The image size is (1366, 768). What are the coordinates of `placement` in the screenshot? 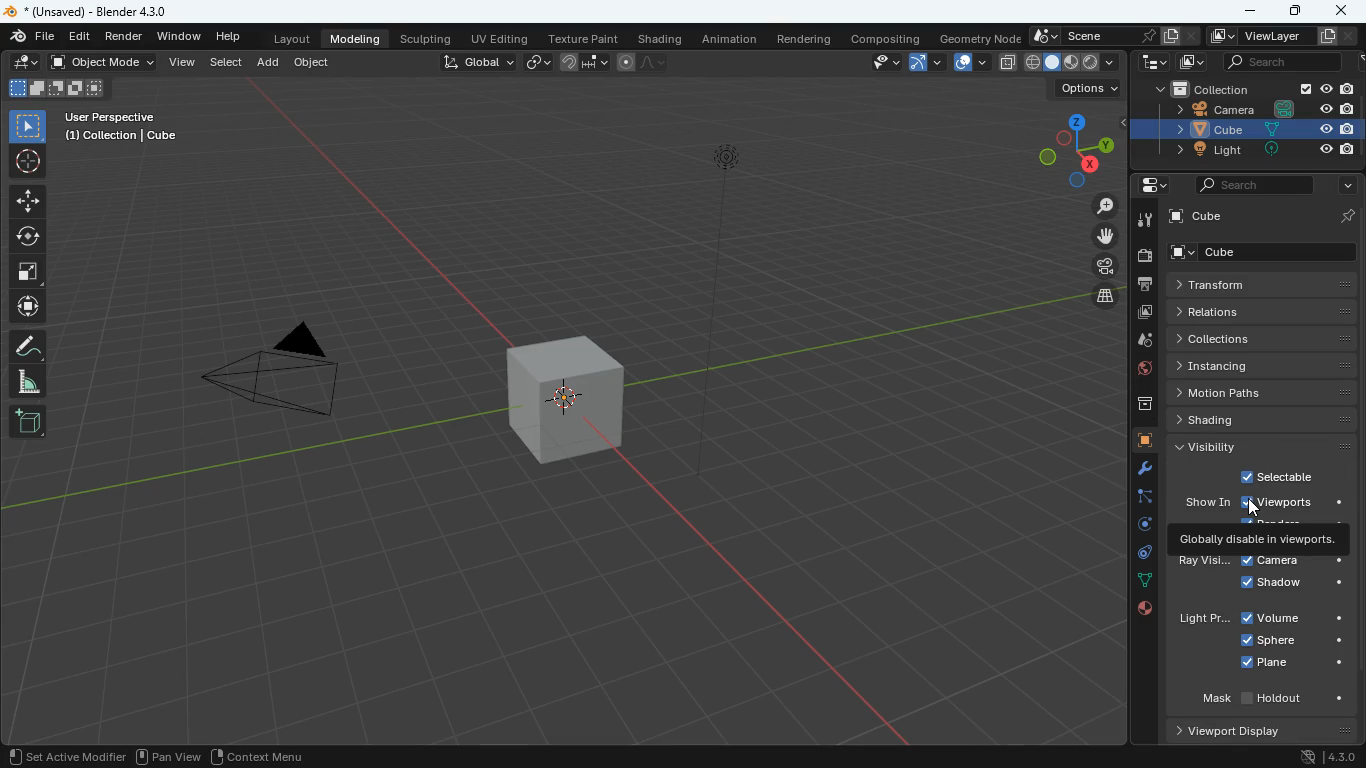 It's located at (1073, 63).